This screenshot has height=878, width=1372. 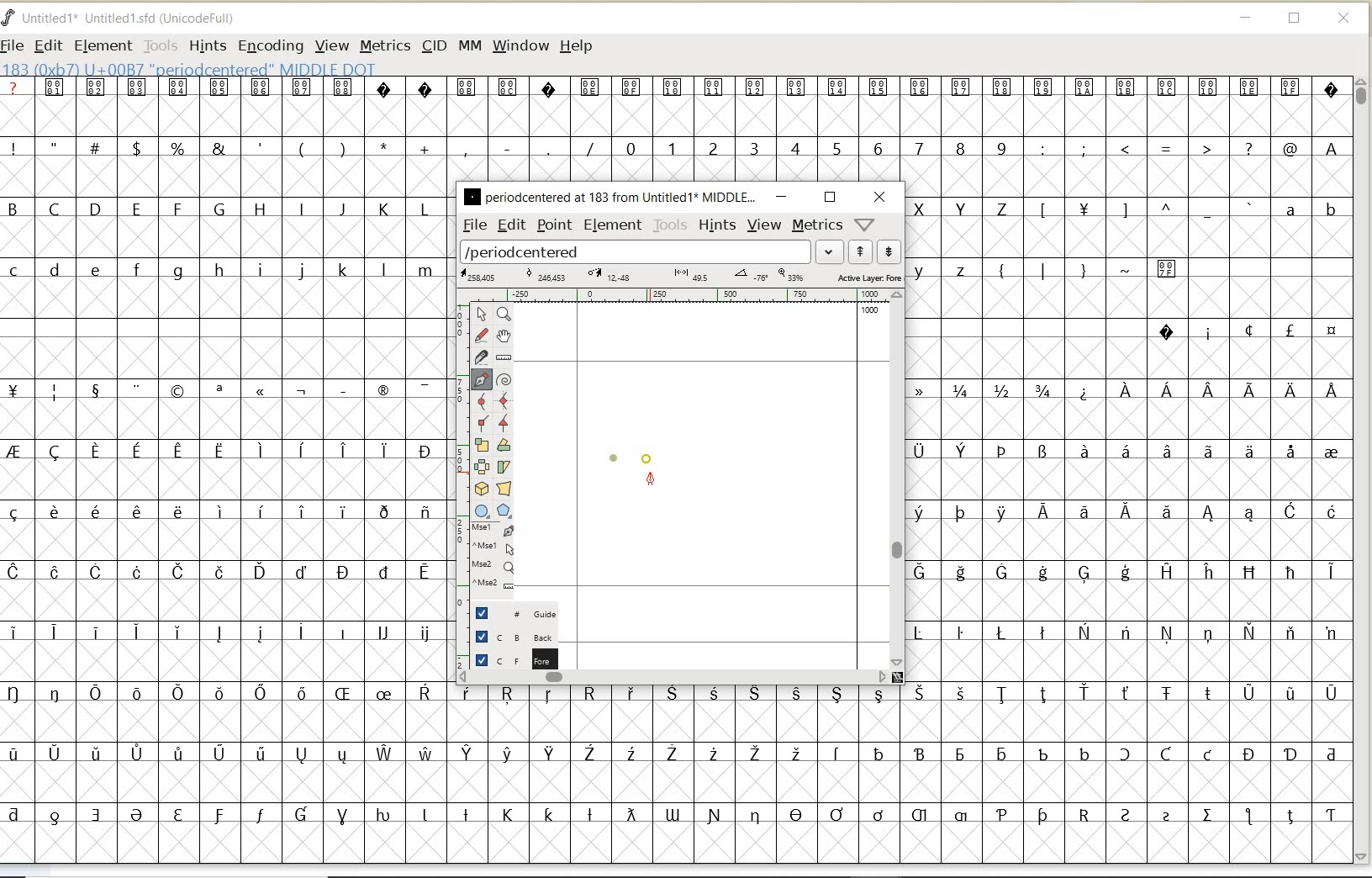 I want to click on lowercase letters, so click(x=950, y=269).